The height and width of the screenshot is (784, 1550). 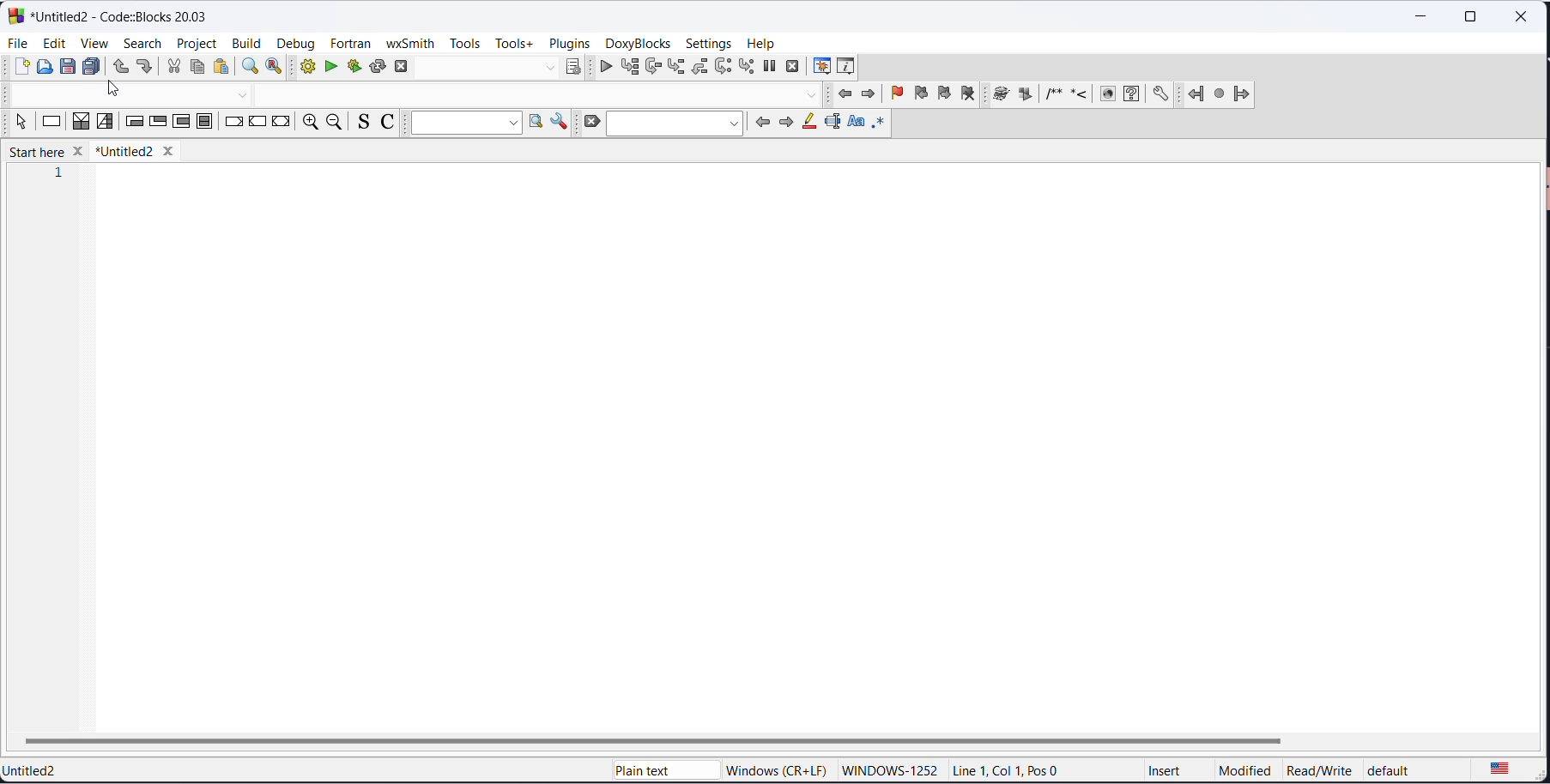 I want to click on HTML, so click(x=1106, y=96).